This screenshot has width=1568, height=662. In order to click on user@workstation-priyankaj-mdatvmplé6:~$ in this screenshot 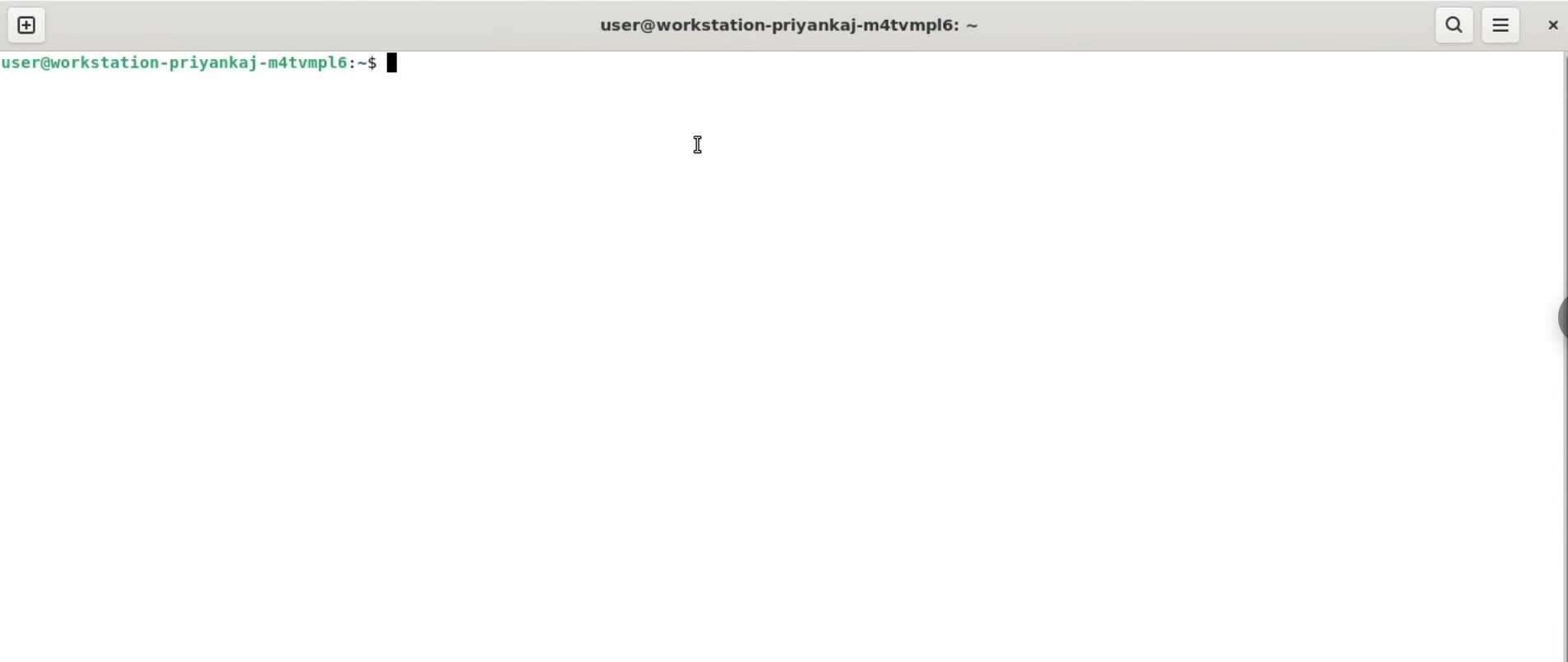, I will do `click(192, 62)`.